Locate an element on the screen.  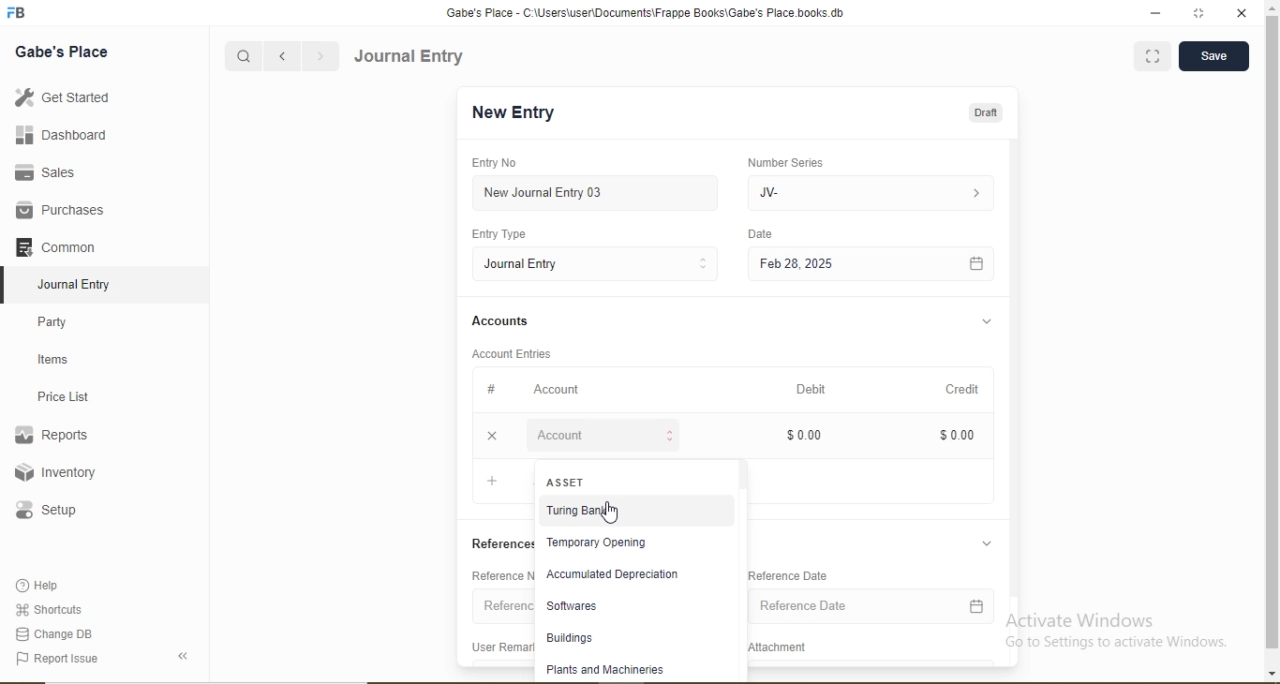
Backward is located at coordinates (282, 57).